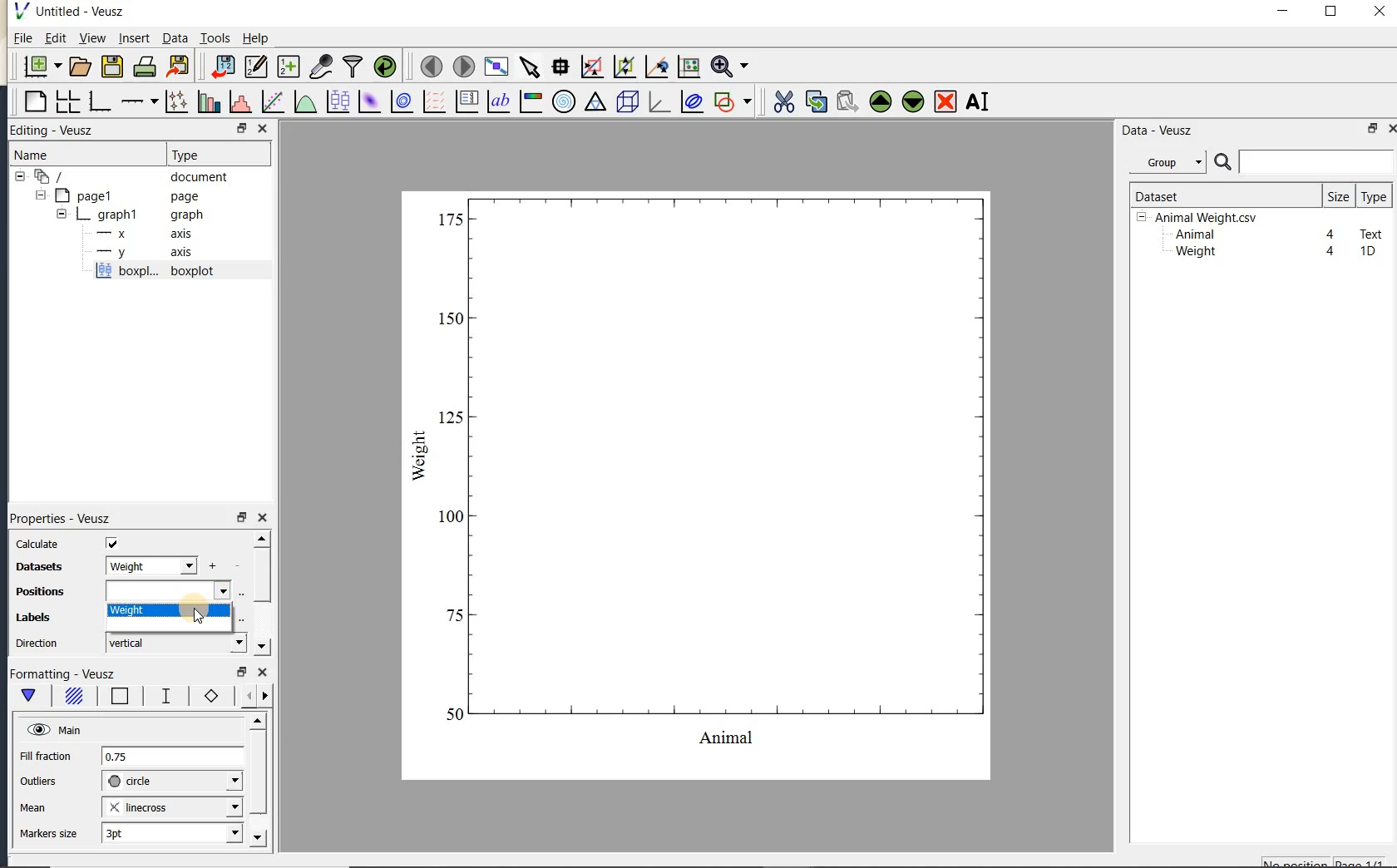 The width and height of the screenshot is (1397, 868). I want to click on linecross, so click(170, 806).